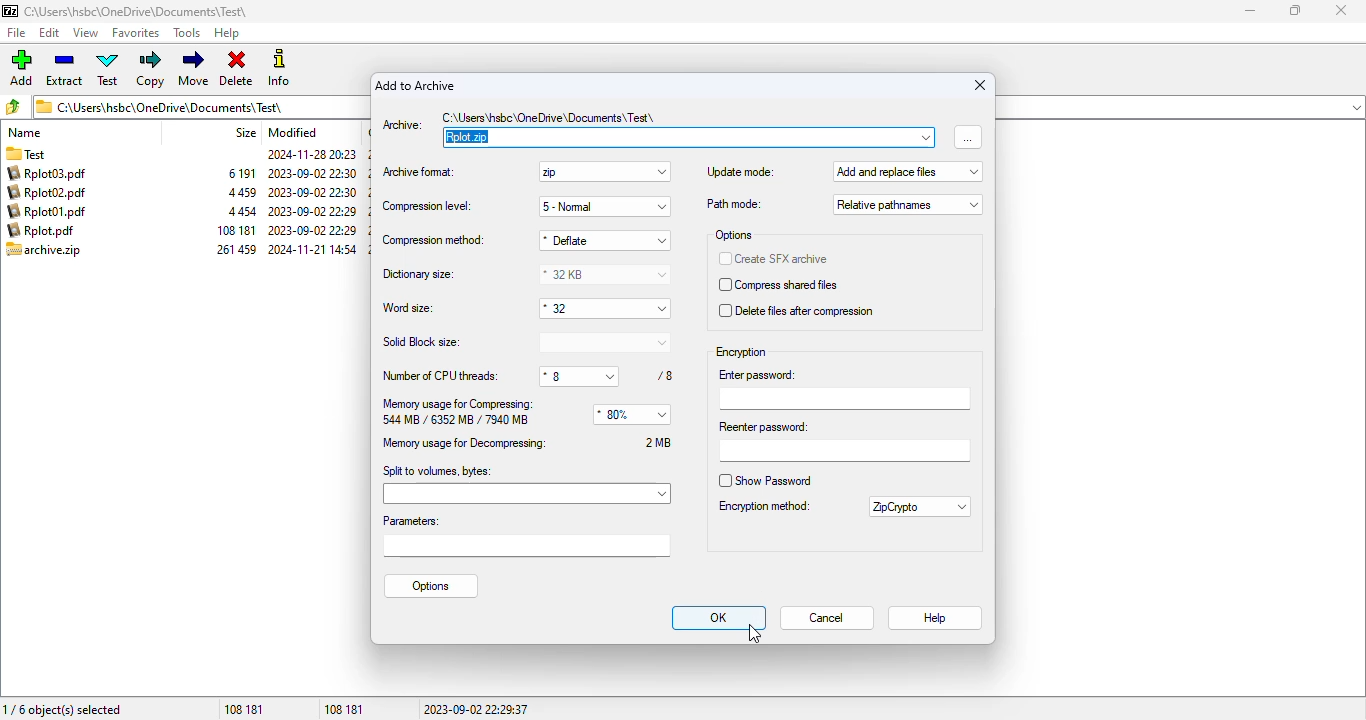  What do you see at coordinates (843, 508) in the screenshot?
I see `encryption method: ZipCrypto` at bounding box center [843, 508].